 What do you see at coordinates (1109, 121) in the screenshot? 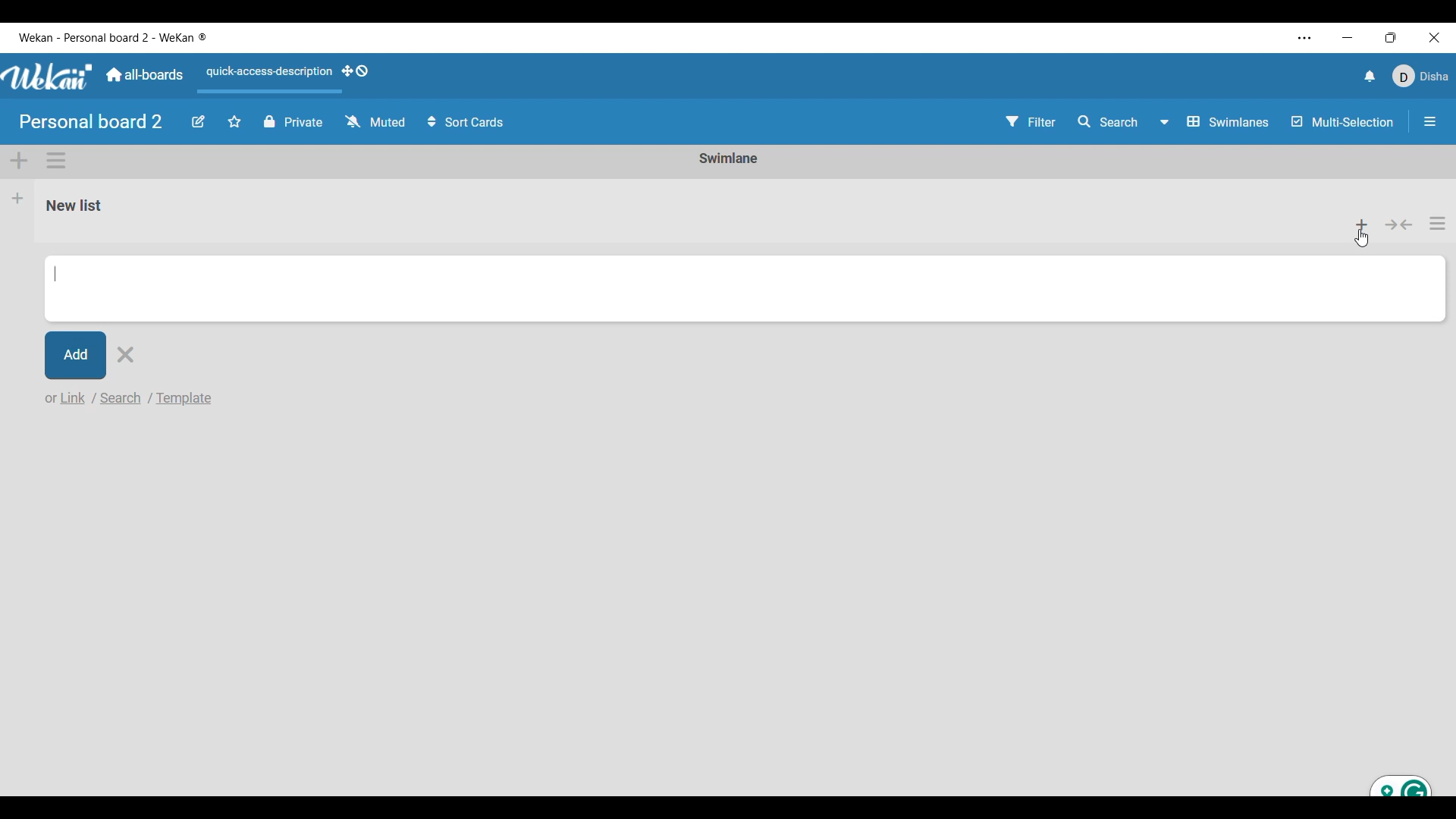
I see `Search` at bounding box center [1109, 121].